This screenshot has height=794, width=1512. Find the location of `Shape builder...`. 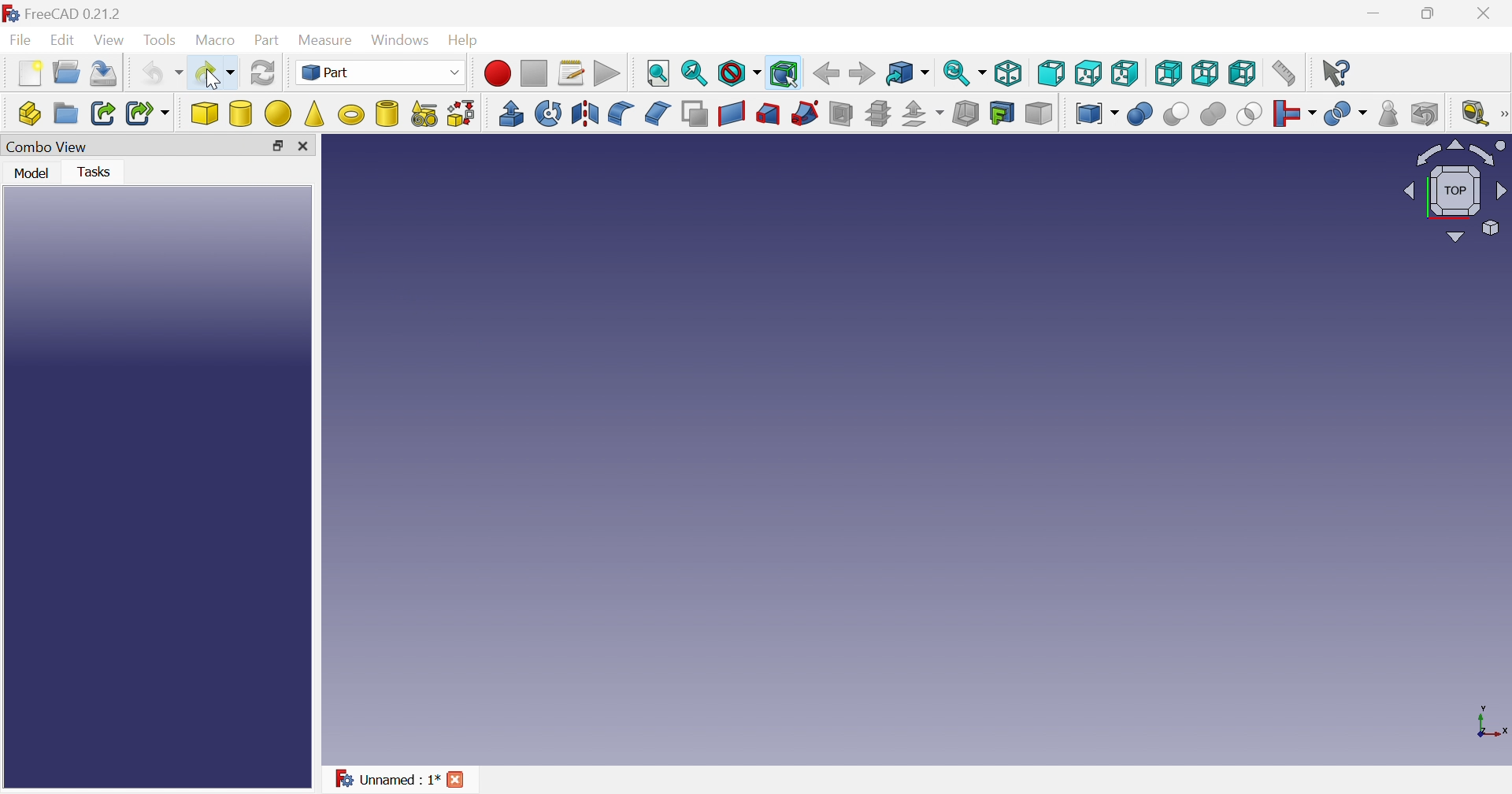

Shape builder... is located at coordinates (461, 113).